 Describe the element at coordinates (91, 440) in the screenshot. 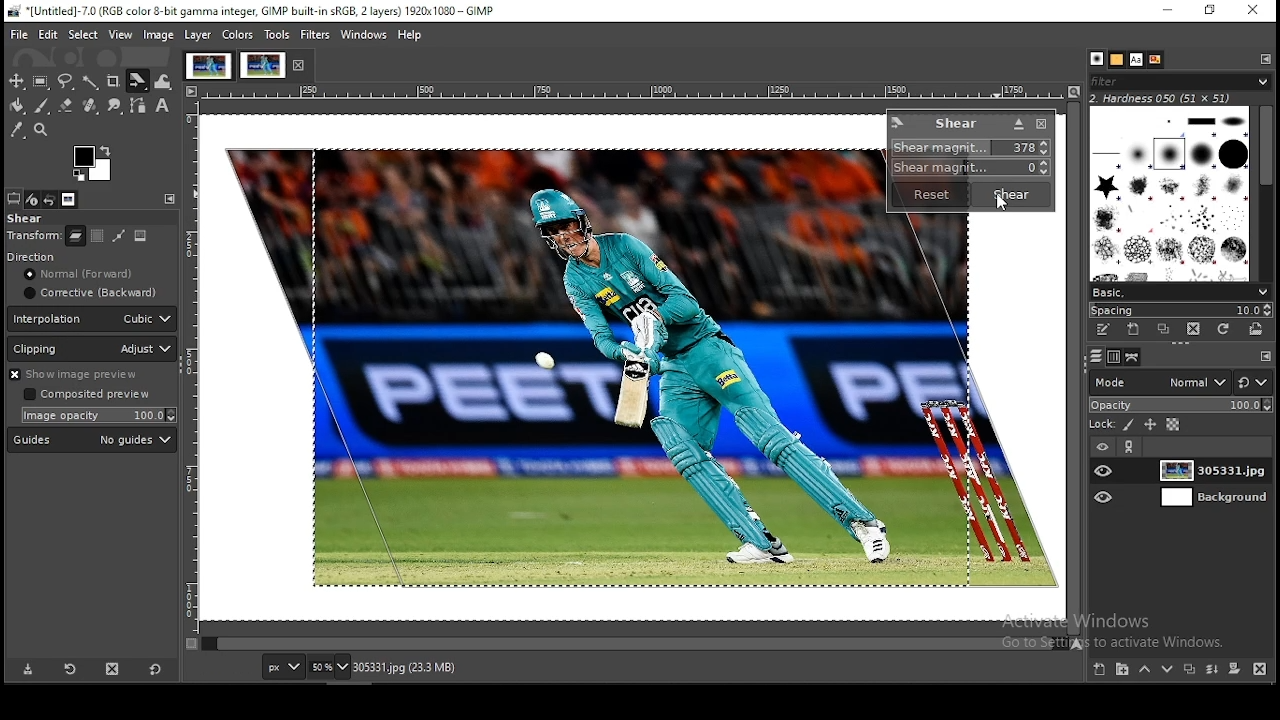

I see `guide` at that location.